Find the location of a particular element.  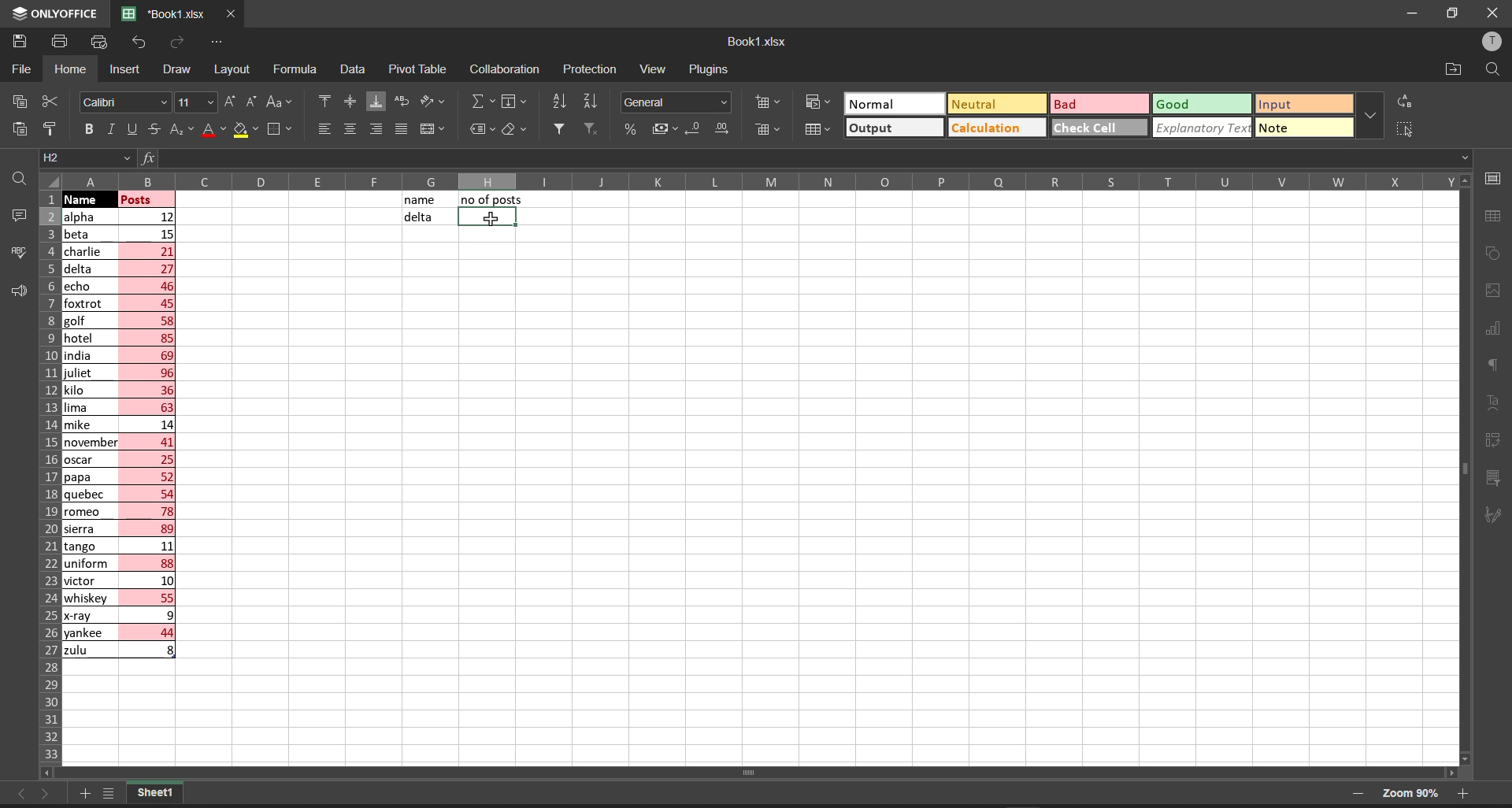

Neutral is located at coordinates (976, 103).